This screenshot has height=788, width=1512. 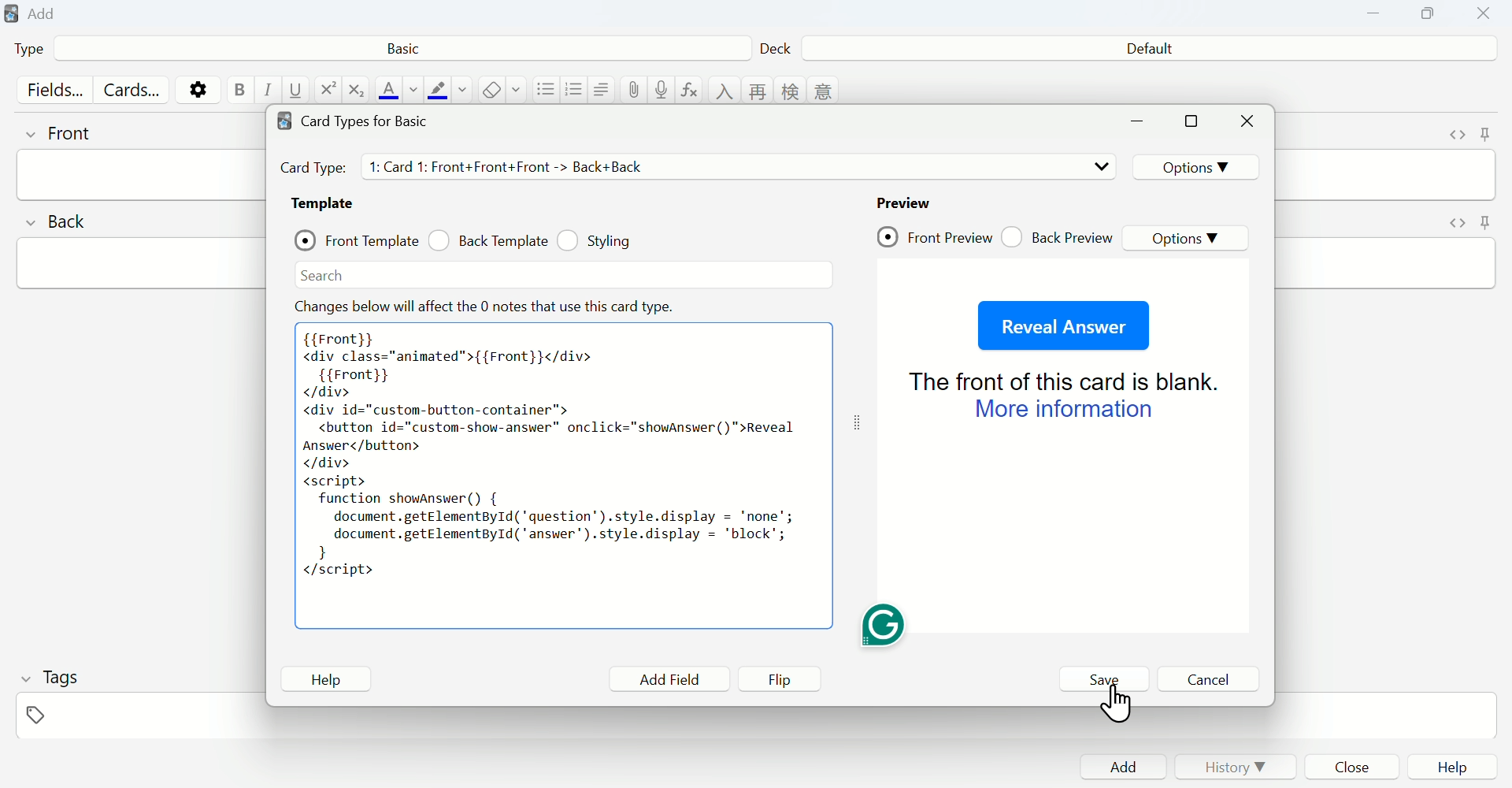 I want to click on Template, so click(x=327, y=204).